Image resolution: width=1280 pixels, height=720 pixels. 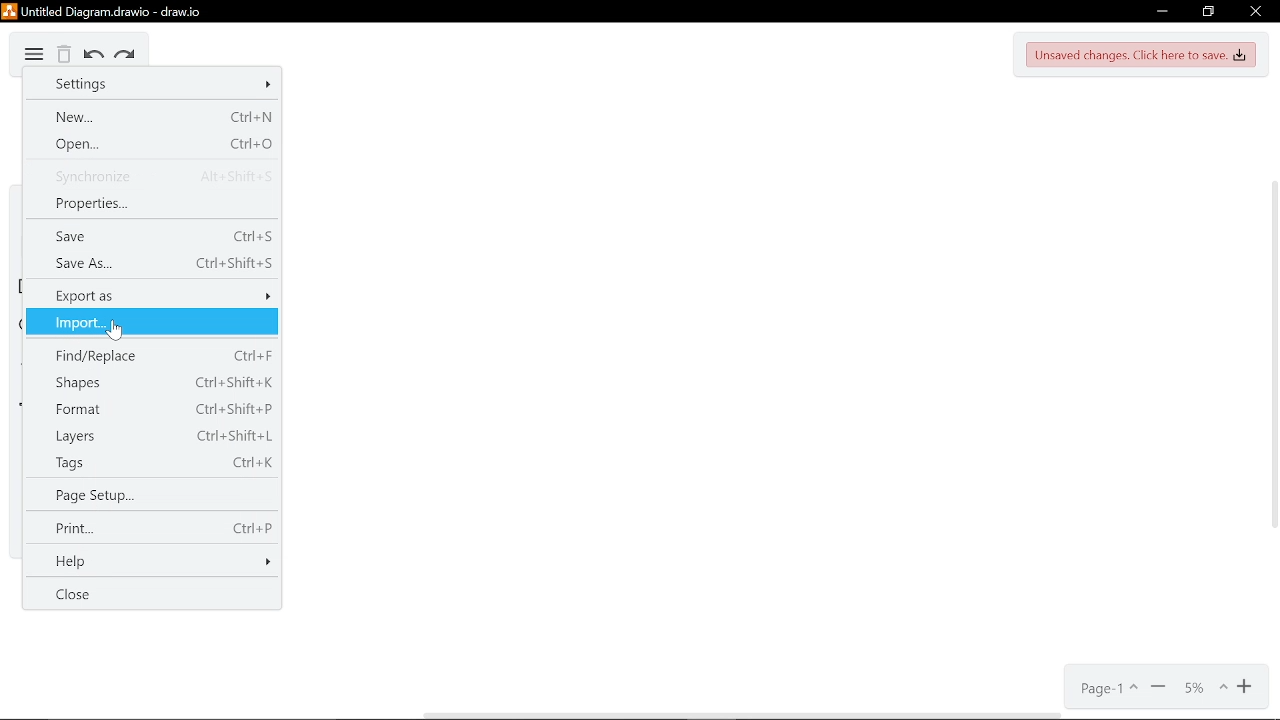 What do you see at coordinates (148, 528) in the screenshot?
I see `Print` at bounding box center [148, 528].